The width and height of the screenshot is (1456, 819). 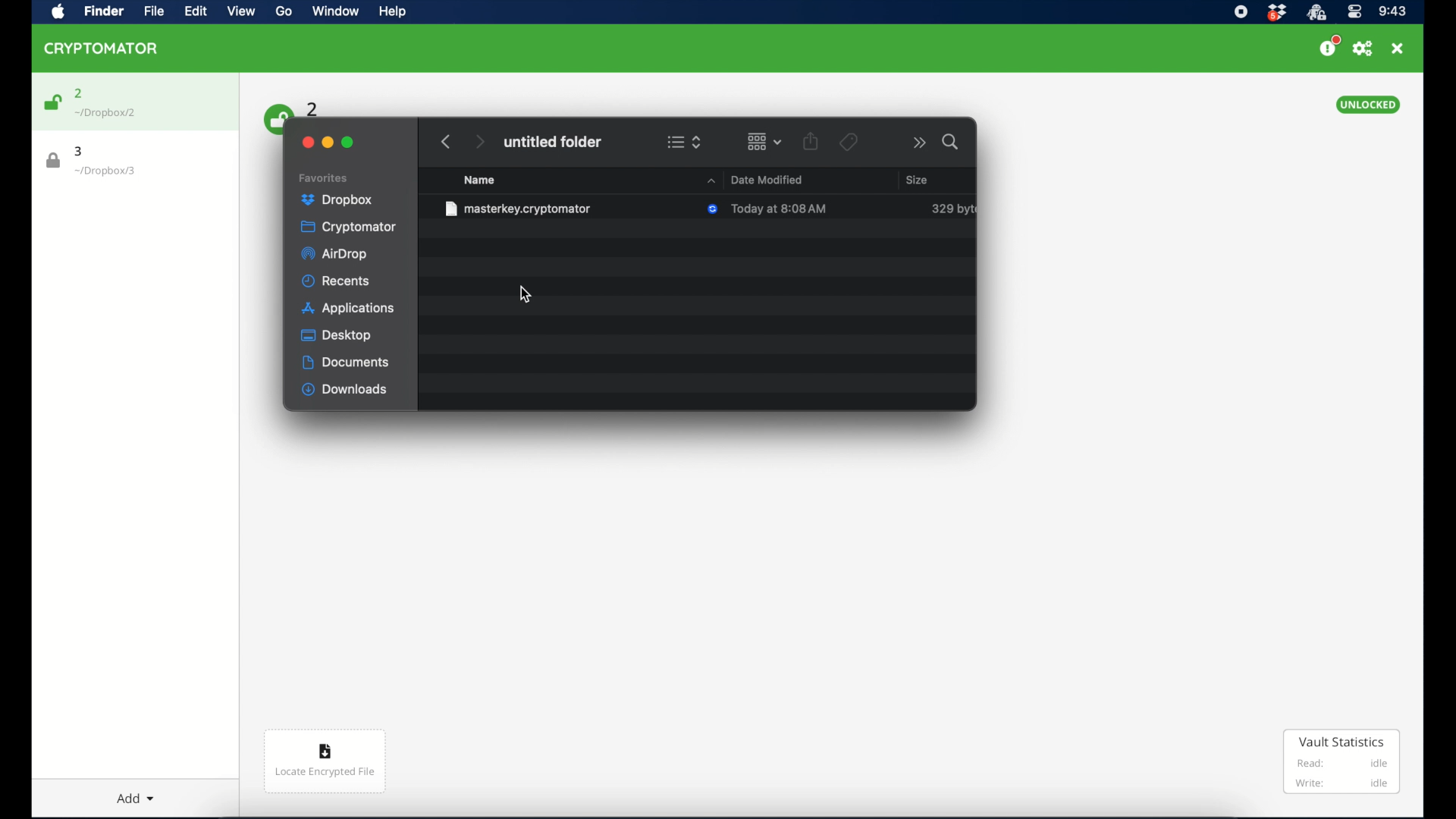 What do you see at coordinates (952, 142) in the screenshot?
I see `search` at bounding box center [952, 142].